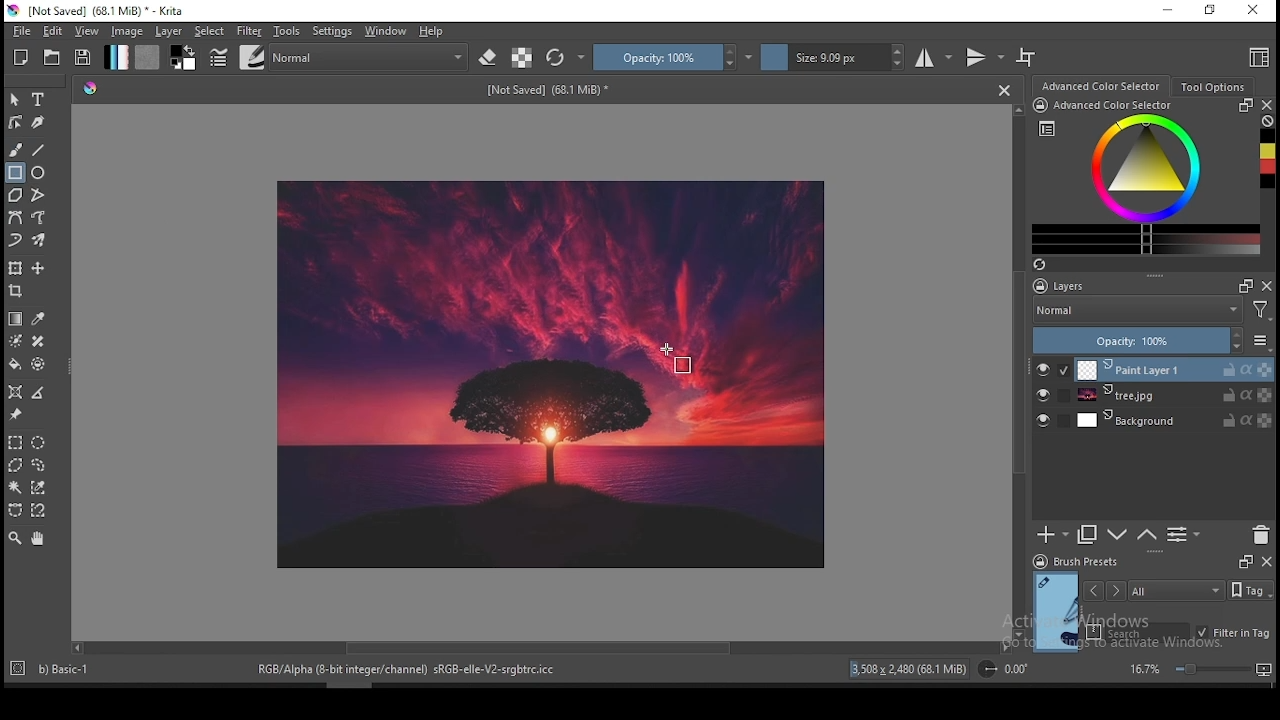 The image size is (1280, 720). Describe the element at coordinates (1145, 535) in the screenshot. I see `move layer one step up` at that location.